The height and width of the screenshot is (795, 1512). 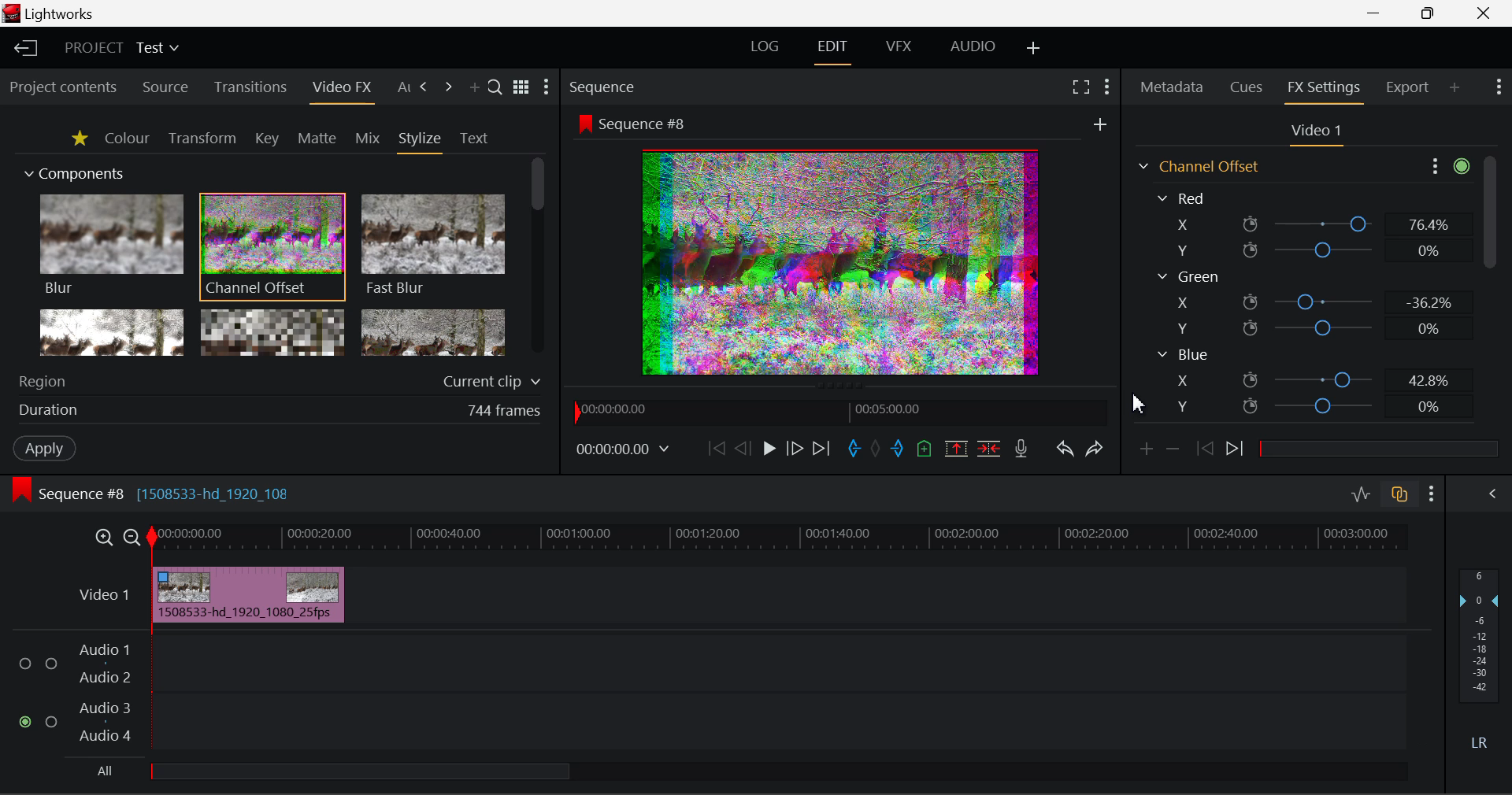 What do you see at coordinates (280, 412) in the screenshot?
I see `Frame Duration` at bounding box center [280, 412].